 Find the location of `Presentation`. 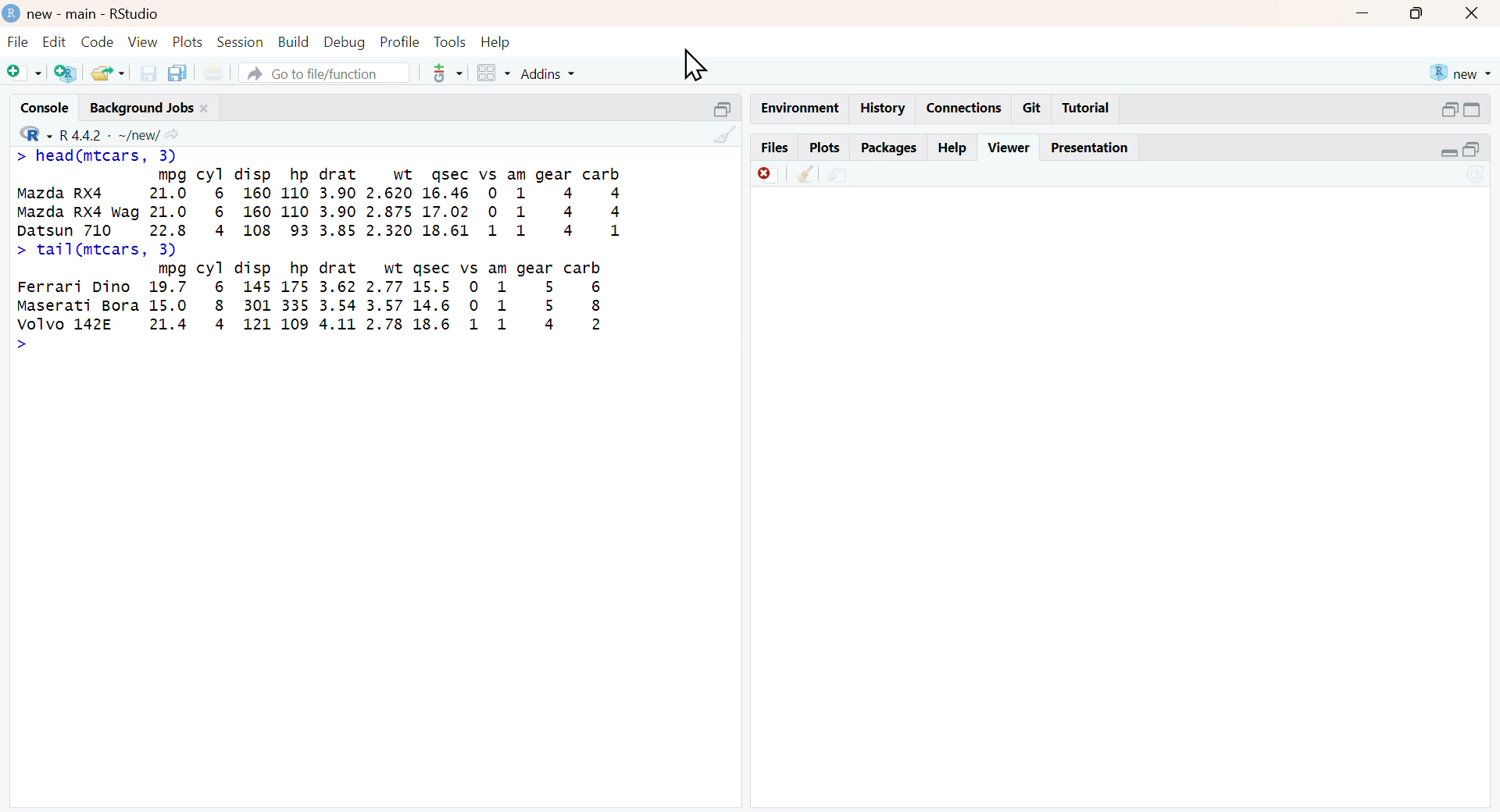

Presentation is located at coordinates (1096, 148).